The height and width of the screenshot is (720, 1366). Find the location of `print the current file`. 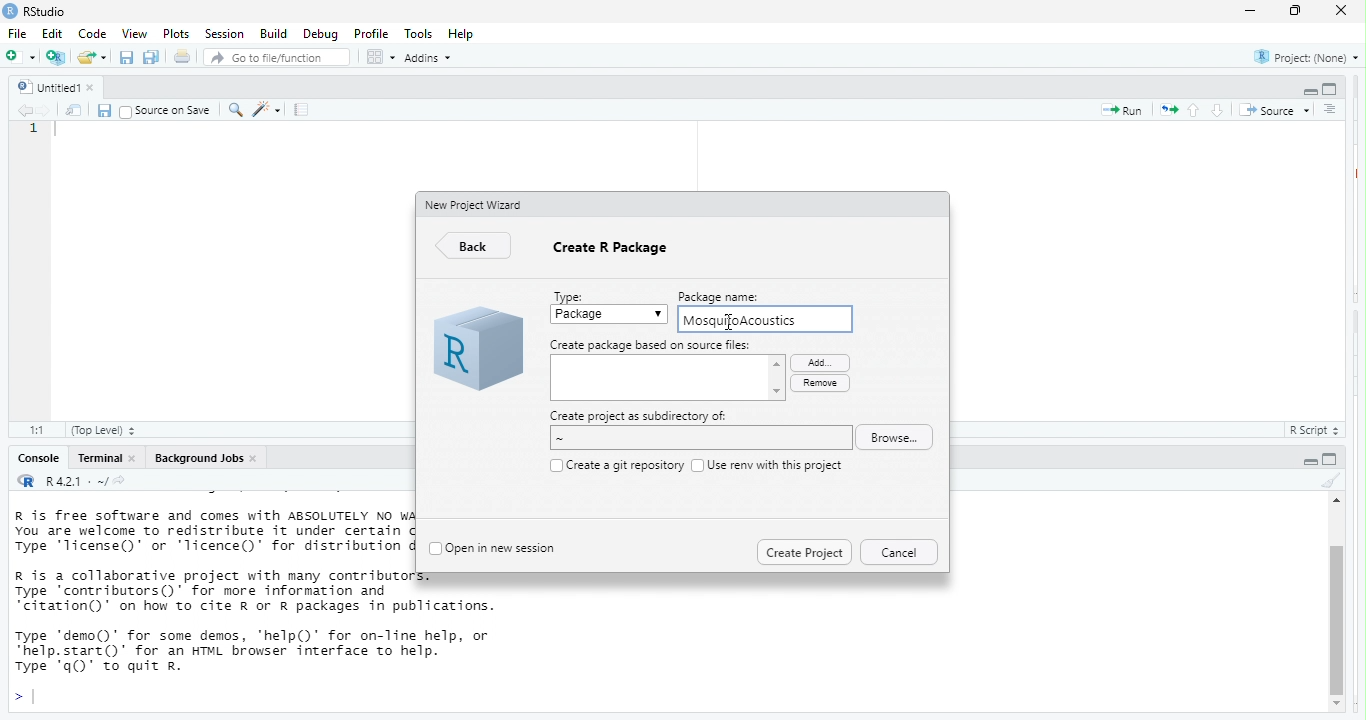

print the current file is located at coordinates (180, 57).